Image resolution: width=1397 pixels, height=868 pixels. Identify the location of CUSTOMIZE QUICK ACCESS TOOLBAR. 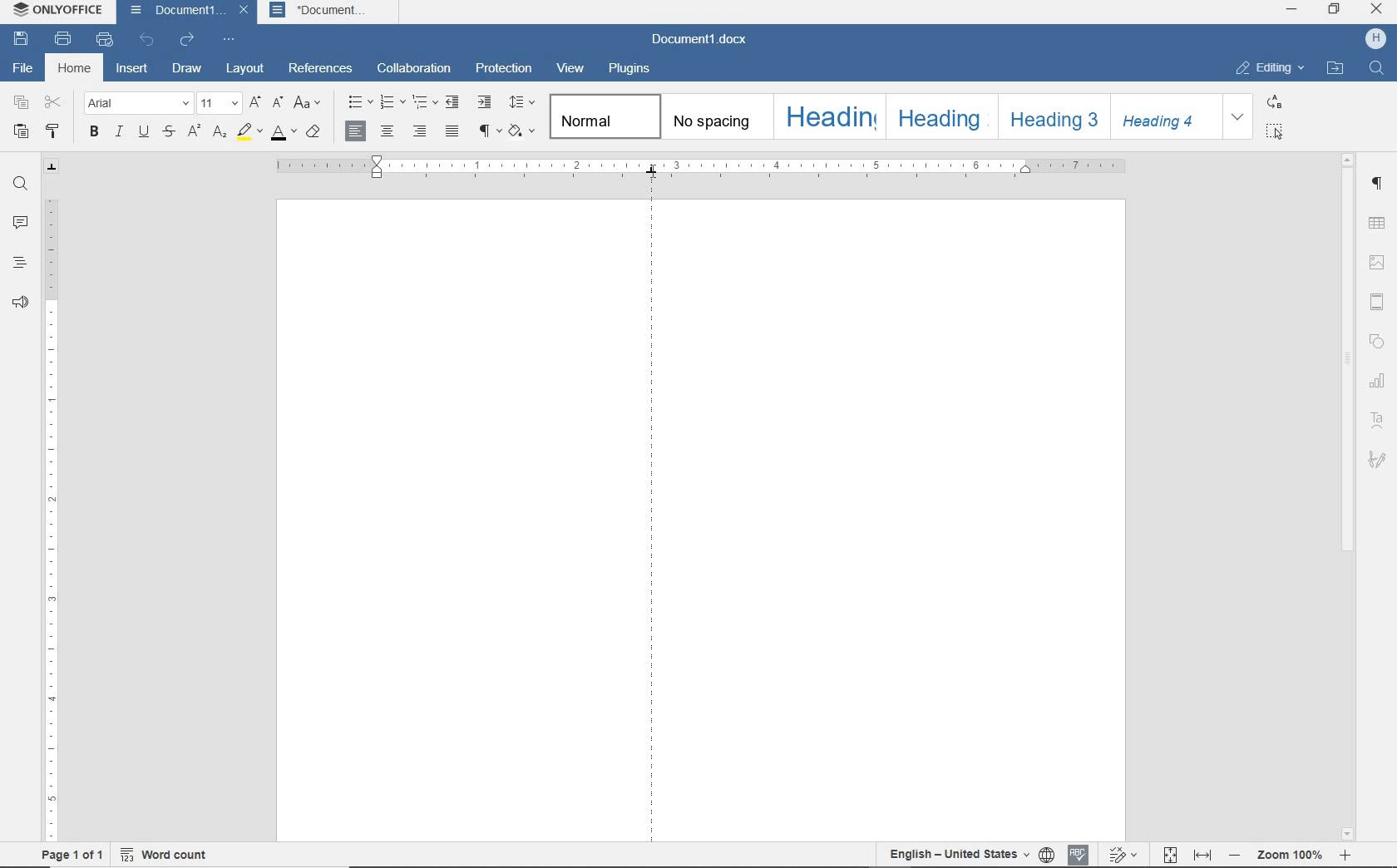
(230, 39).